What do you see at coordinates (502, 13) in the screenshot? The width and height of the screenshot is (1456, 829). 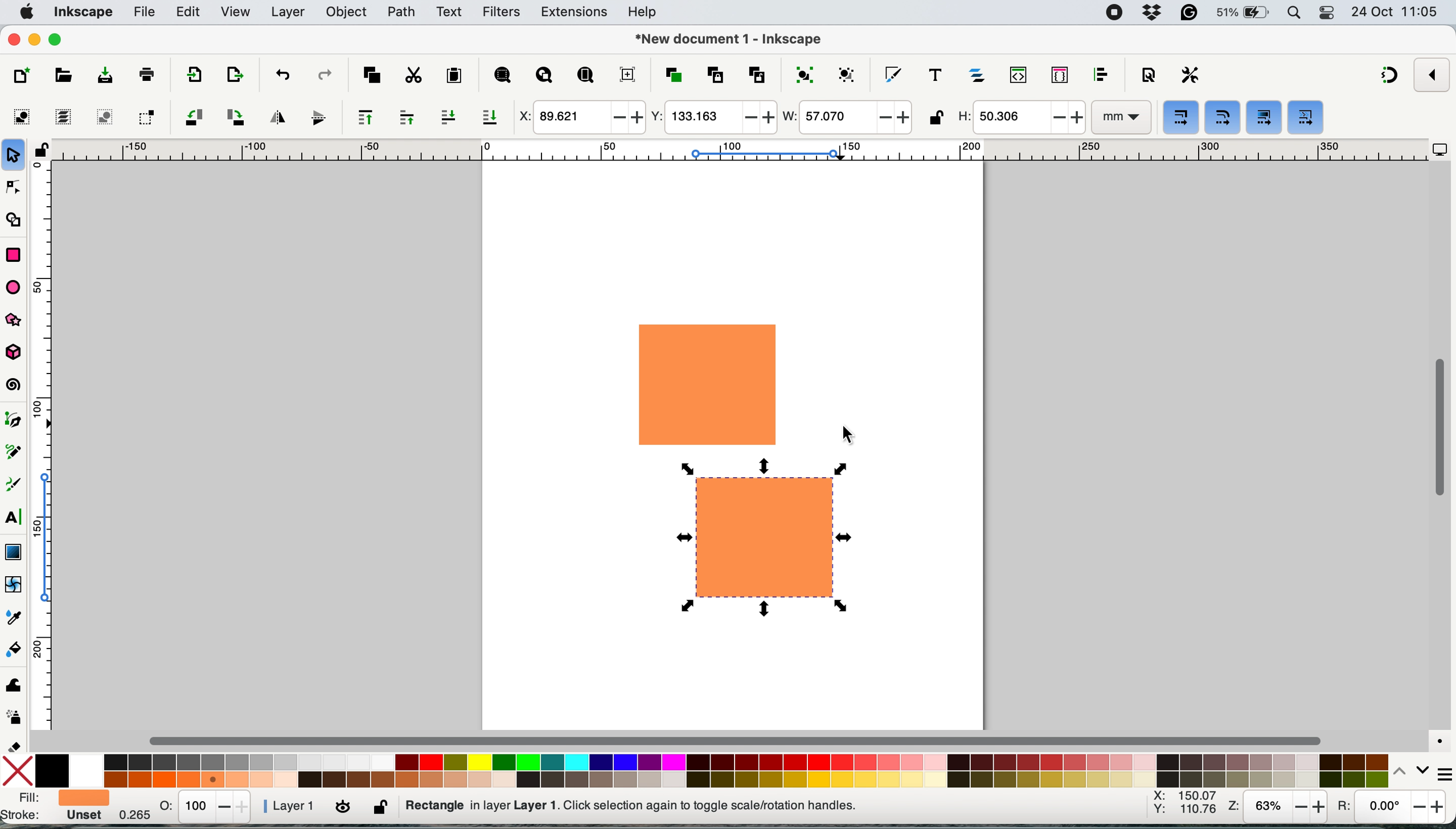 I see `filters` at bounding box center [502, 13].